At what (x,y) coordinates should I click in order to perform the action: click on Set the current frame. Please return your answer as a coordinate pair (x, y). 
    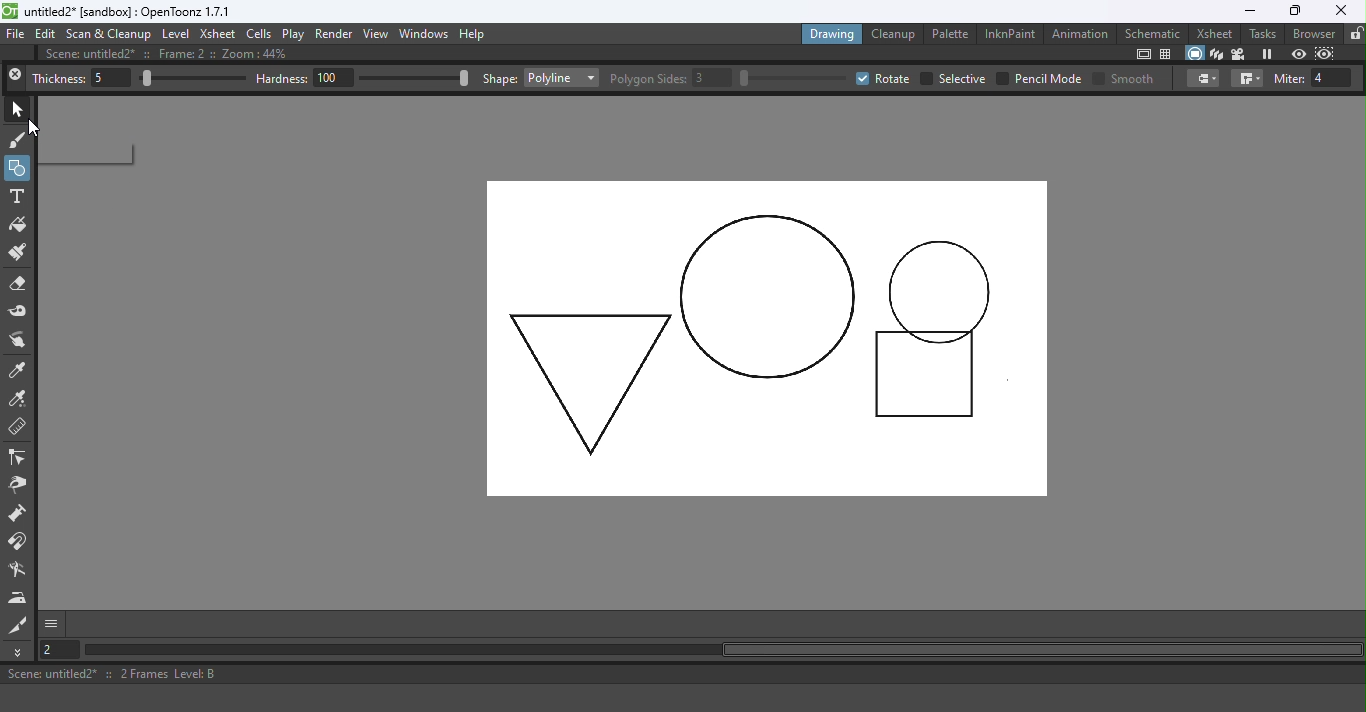
    Looking at the image, I should click on (62, 651).